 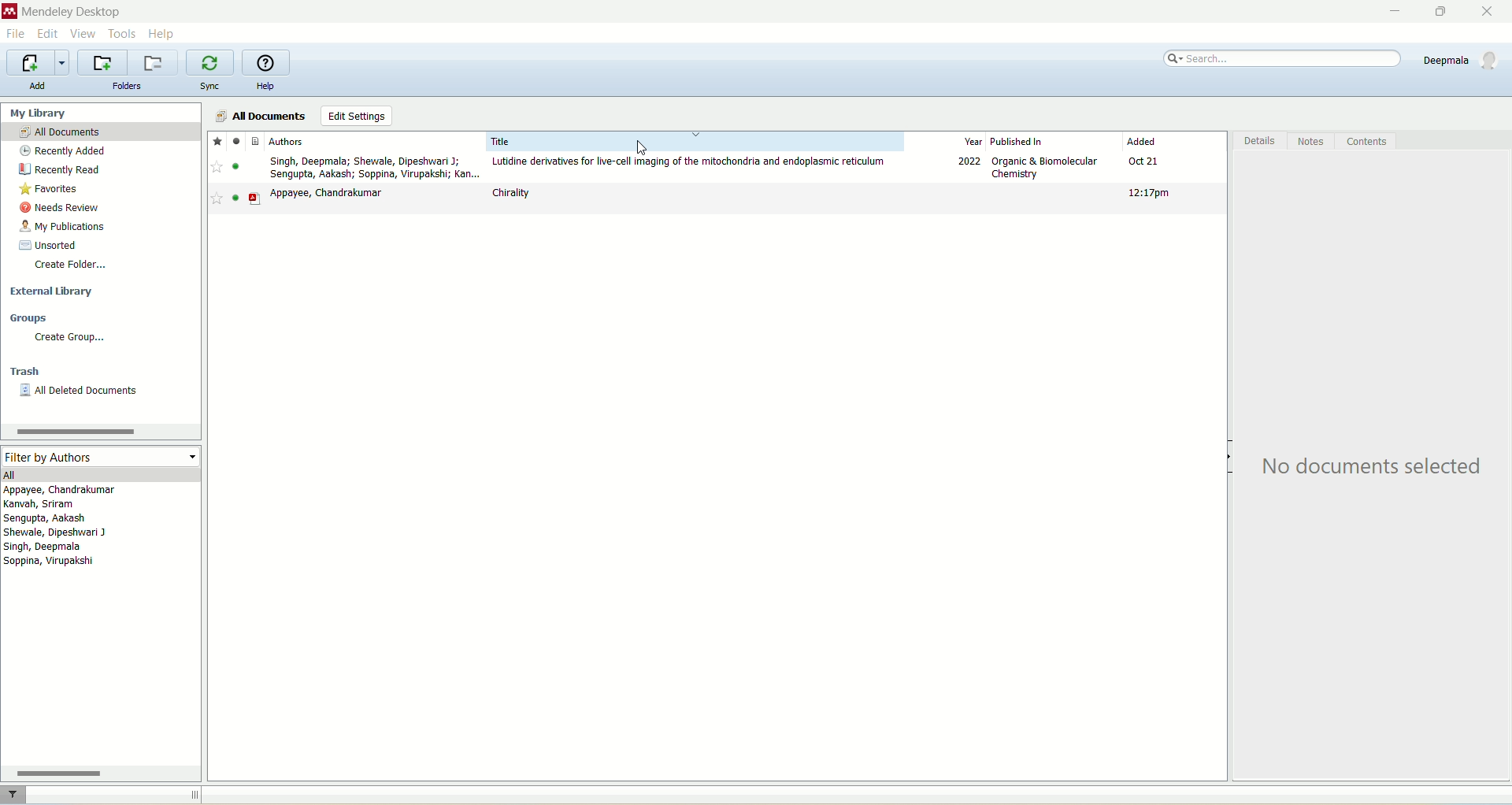 I want to click on details, so click(x=1258, y=143).